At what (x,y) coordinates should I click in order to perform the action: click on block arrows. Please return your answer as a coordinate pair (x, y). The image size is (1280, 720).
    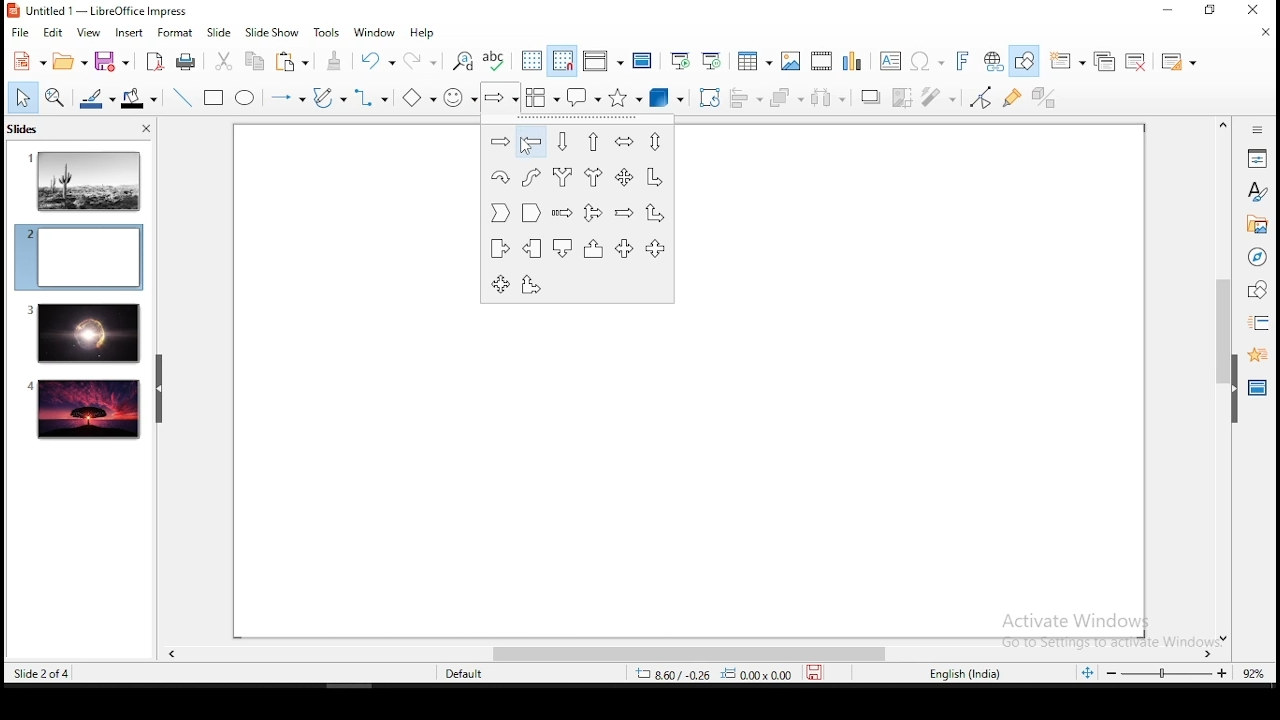
    Looking at the image, I should click on (502, 97).